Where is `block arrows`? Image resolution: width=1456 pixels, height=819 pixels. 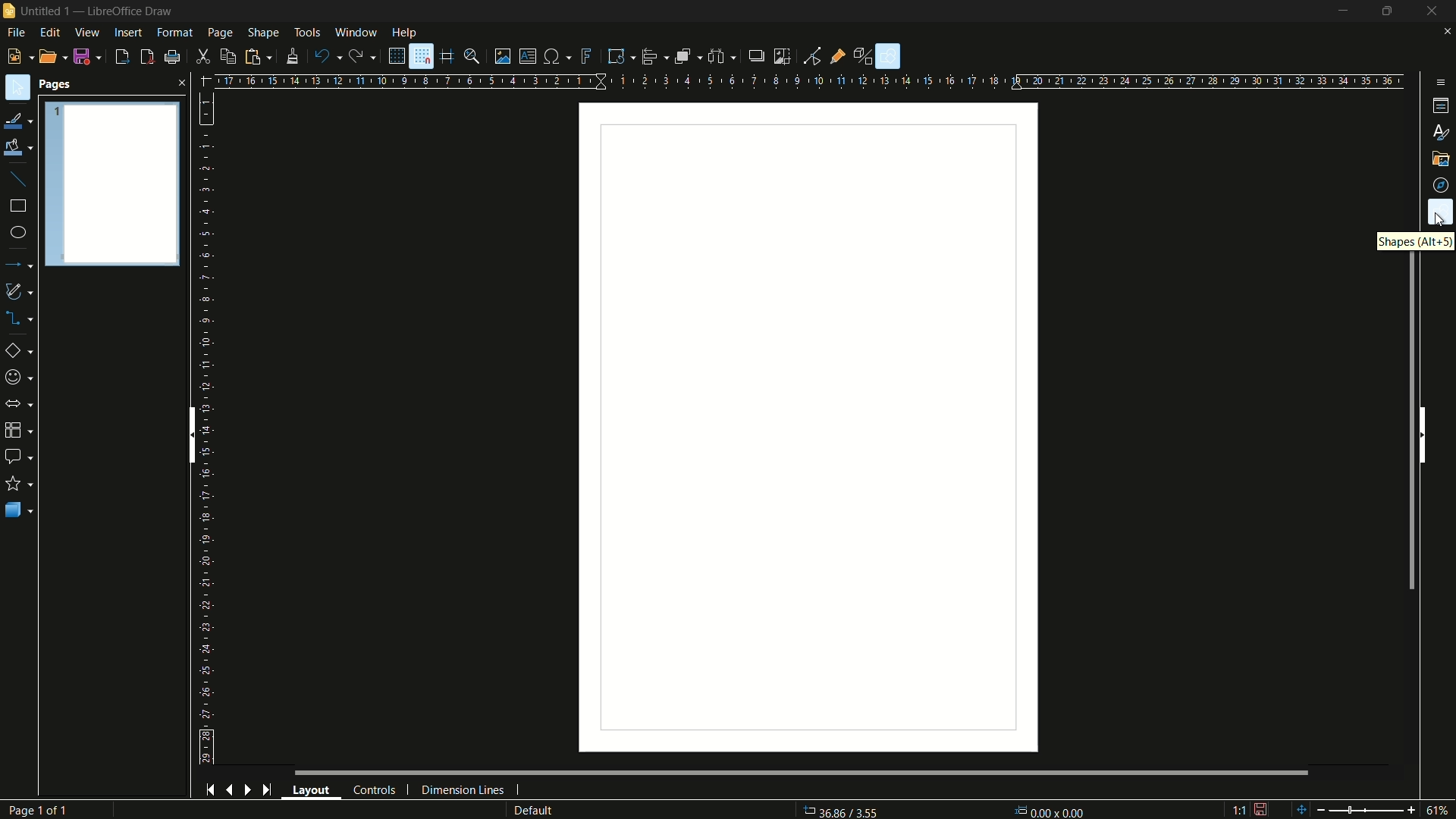
block arrows is located at coordinates (20, 403).